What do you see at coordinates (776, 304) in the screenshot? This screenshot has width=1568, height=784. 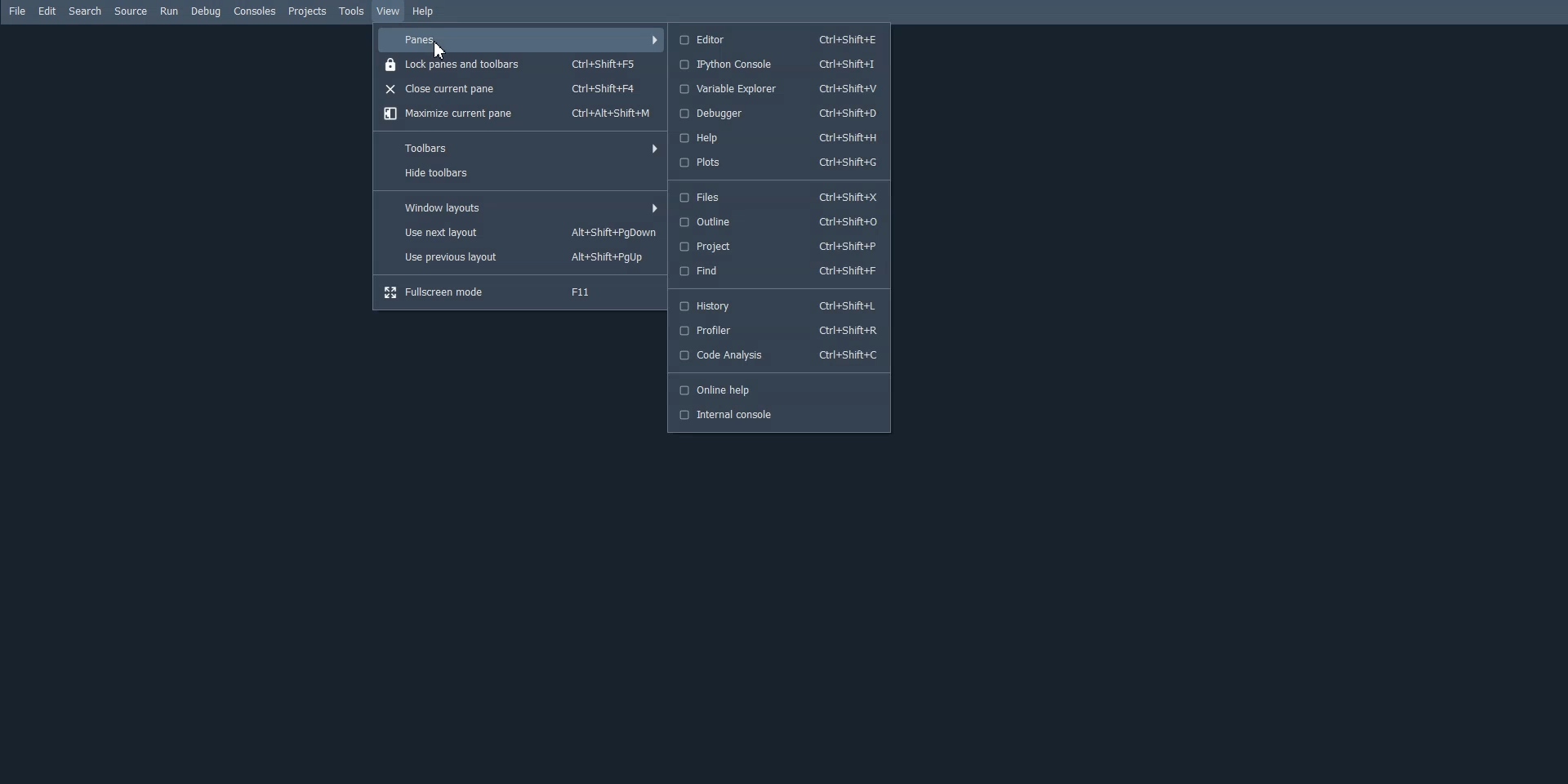 I see `History` at bounding box center [776, 304].